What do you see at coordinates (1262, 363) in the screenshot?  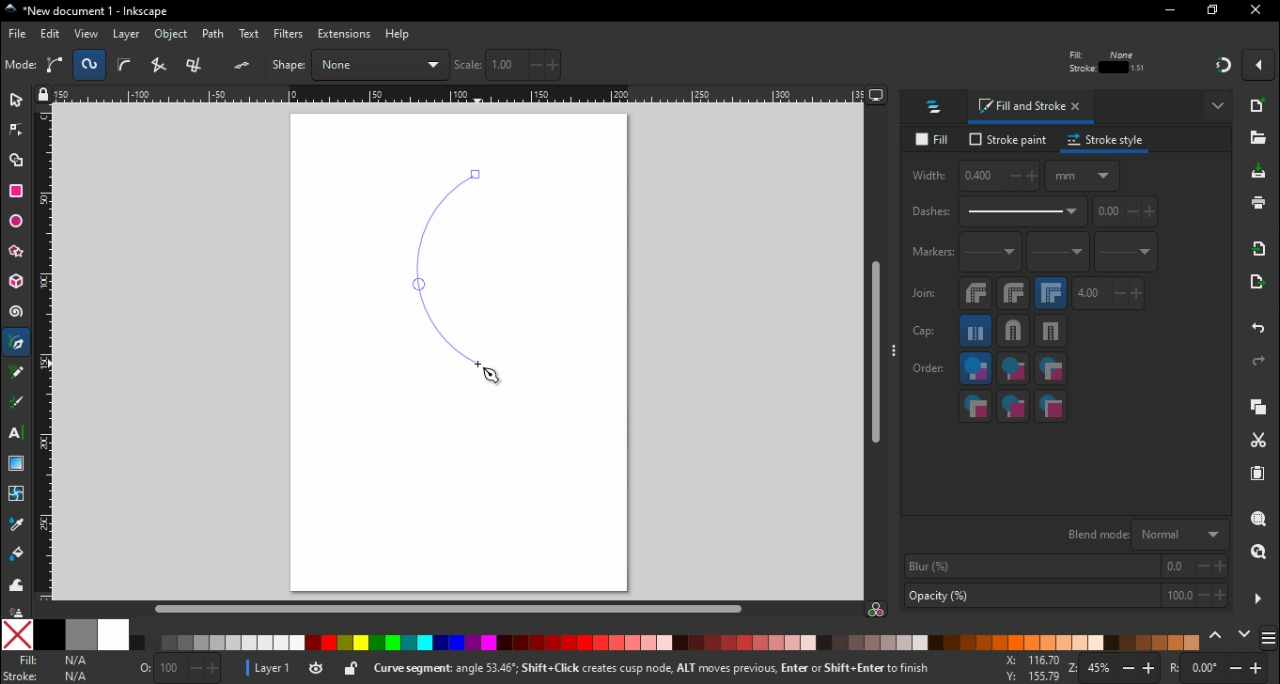 I see `redo` at bounding box center [1262, 363].